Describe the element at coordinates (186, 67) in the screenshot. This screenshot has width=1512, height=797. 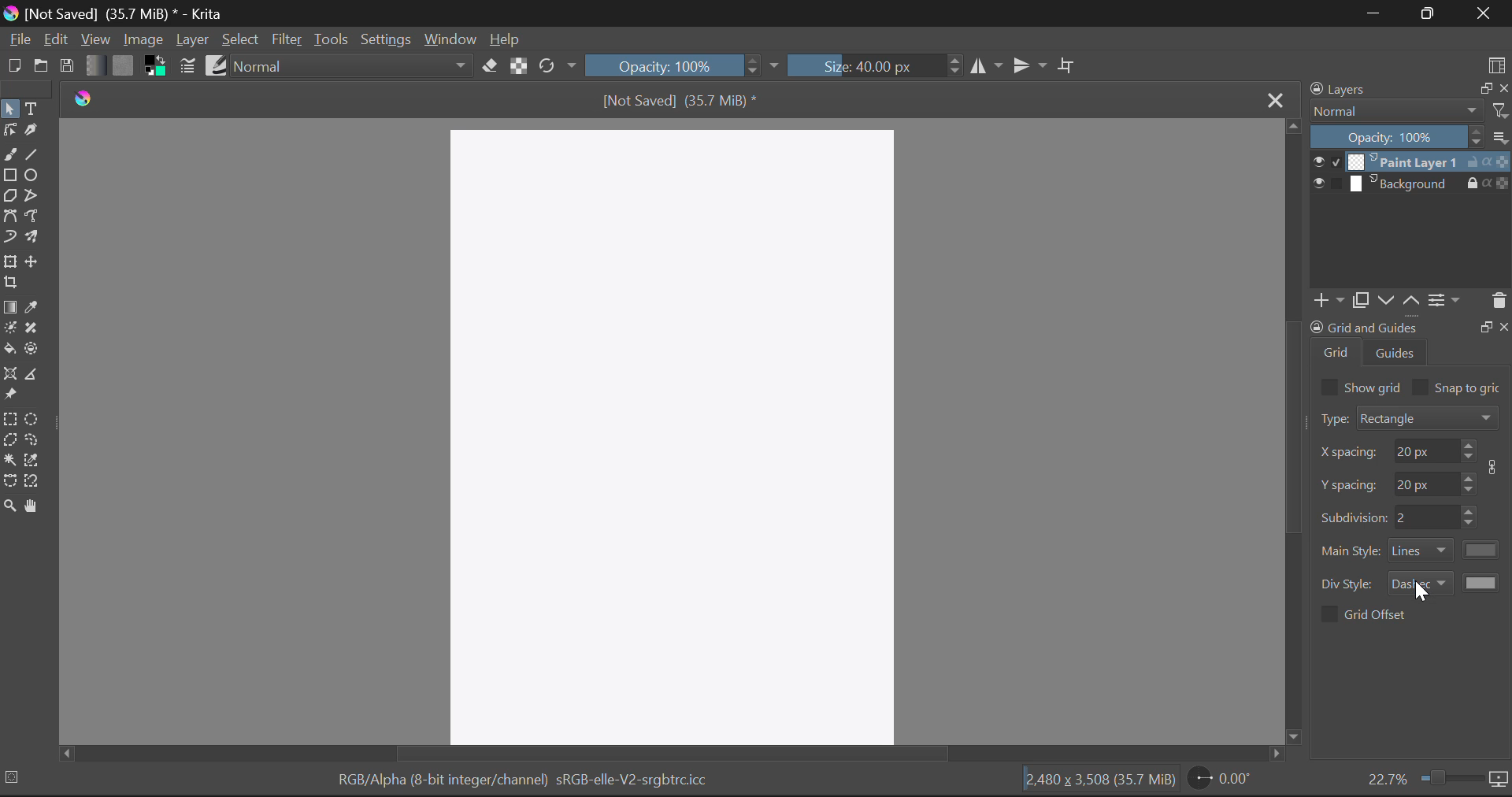
I see `Brush Settings` at that location.